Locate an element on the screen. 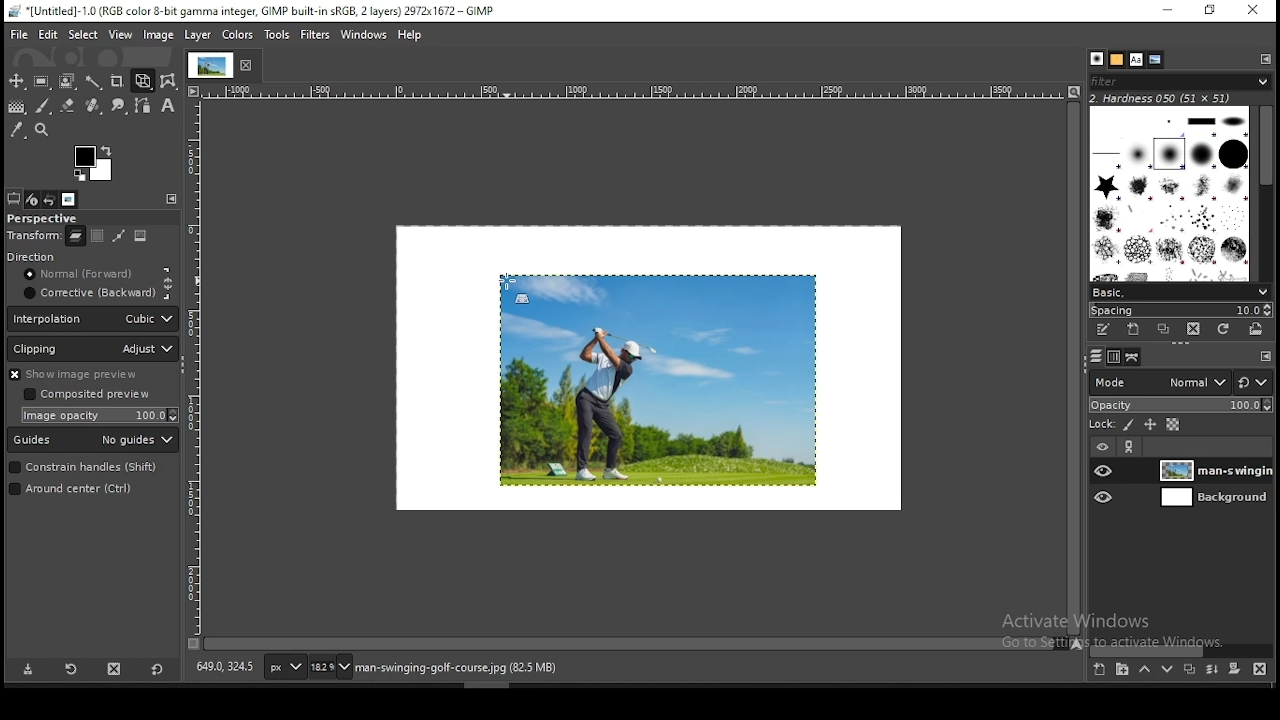 This screenshot has height=720, width=1280. lock size and position is located at coordinates (1148, 425).